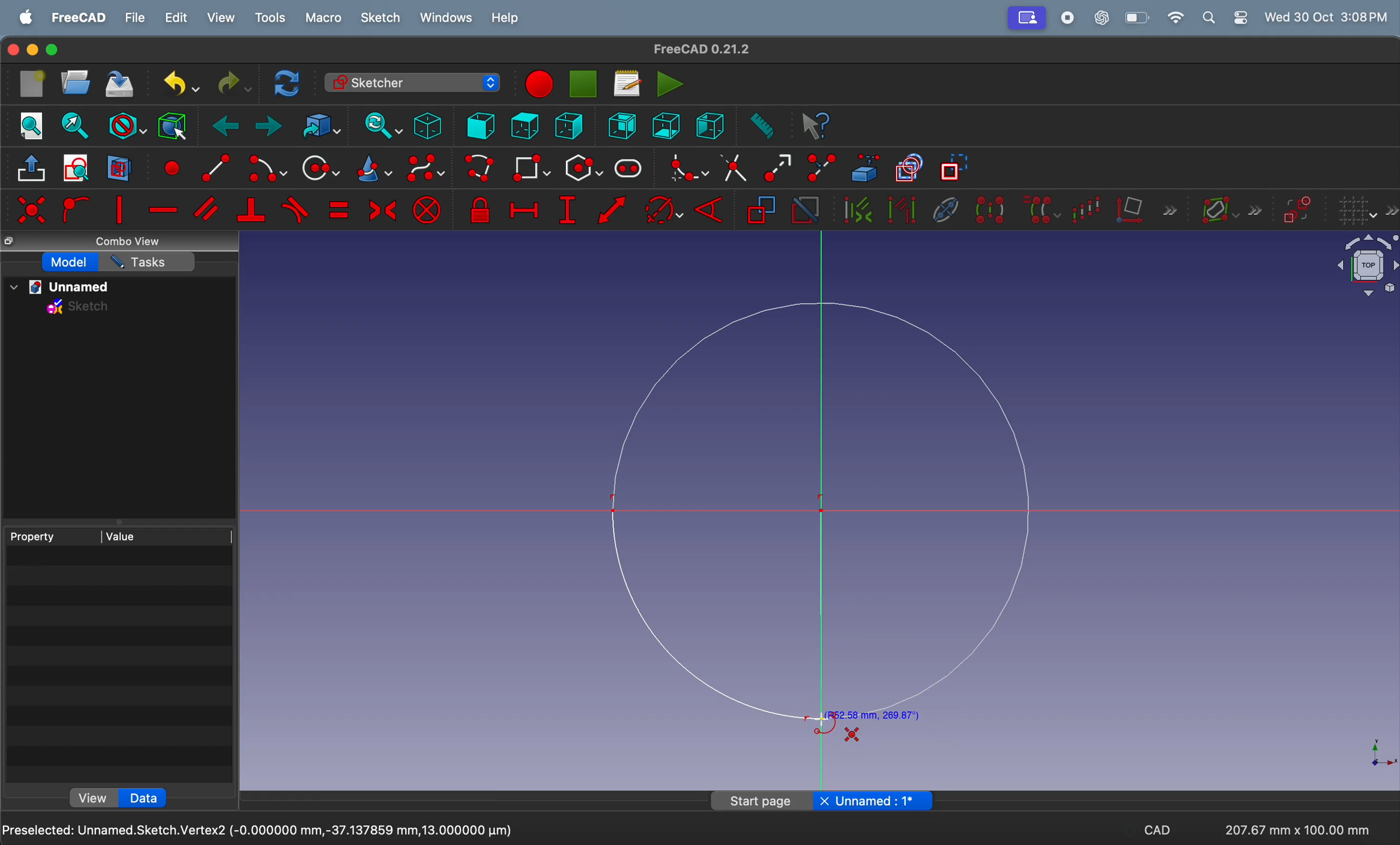 The height and width of the screenshot is (845, 1400). I want to click on bounding box, so click(172, 125).